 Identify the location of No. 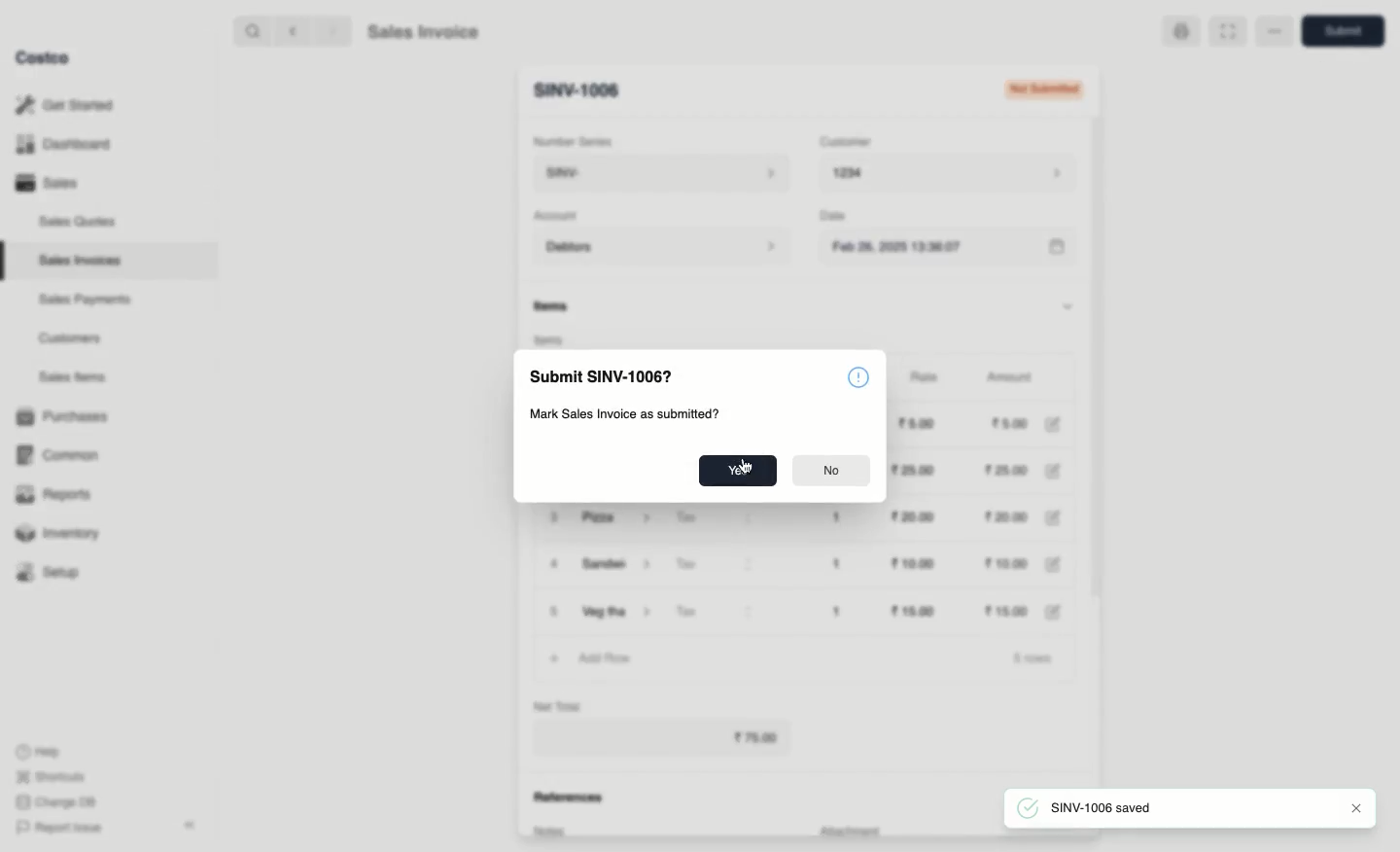
(831, 473).